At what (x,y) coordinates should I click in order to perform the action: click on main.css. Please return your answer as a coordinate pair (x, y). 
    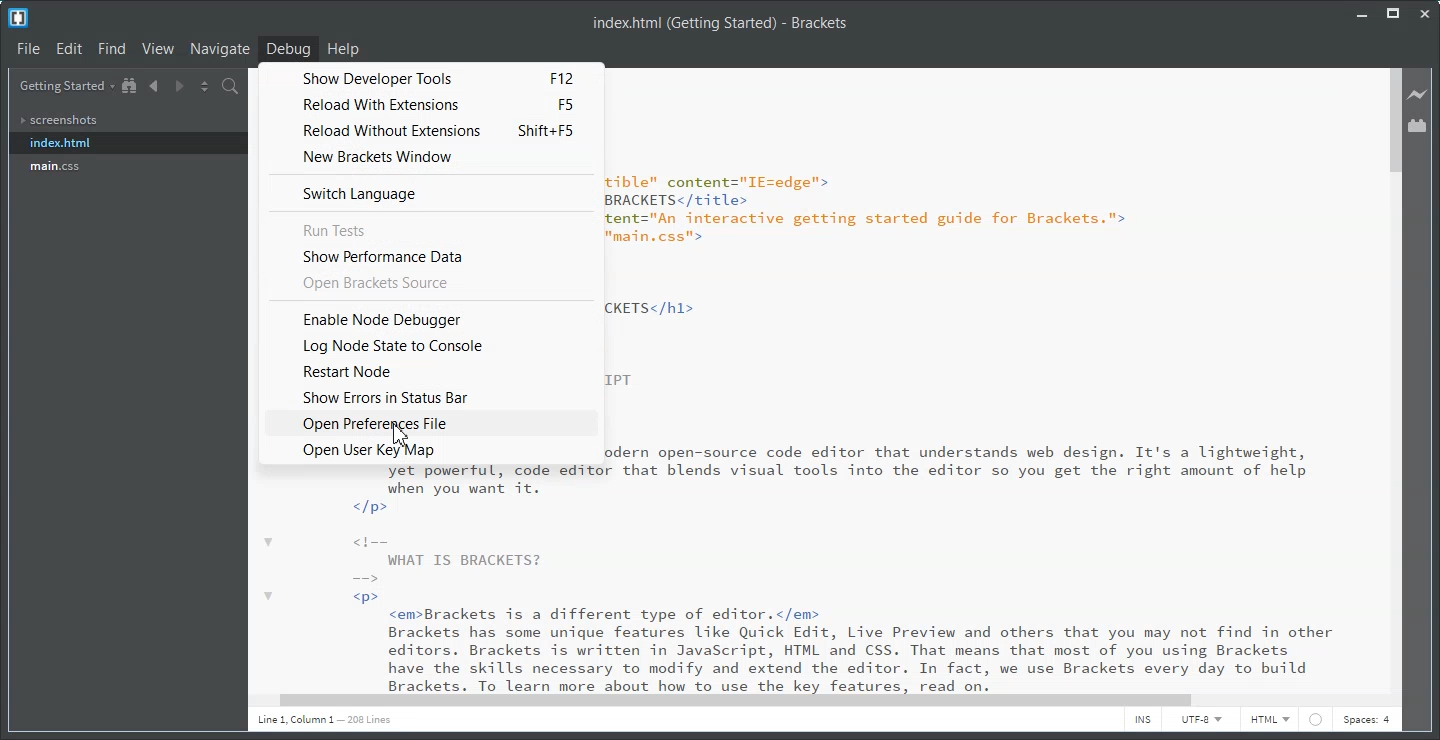
    Looking at the image, I should click on (123, 165).